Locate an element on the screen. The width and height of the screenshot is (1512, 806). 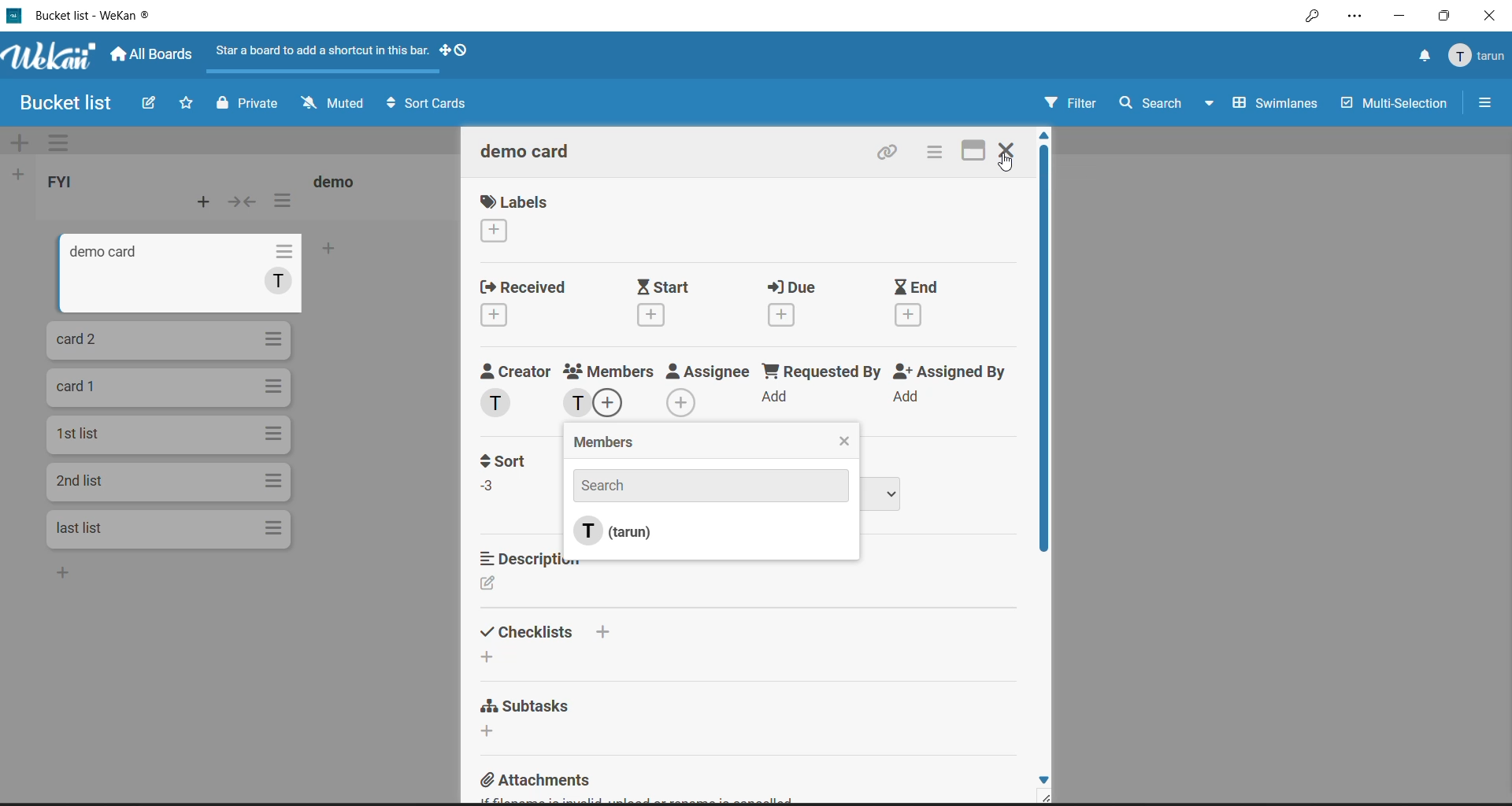
swimlane actions is located at coordinates (66, 142).